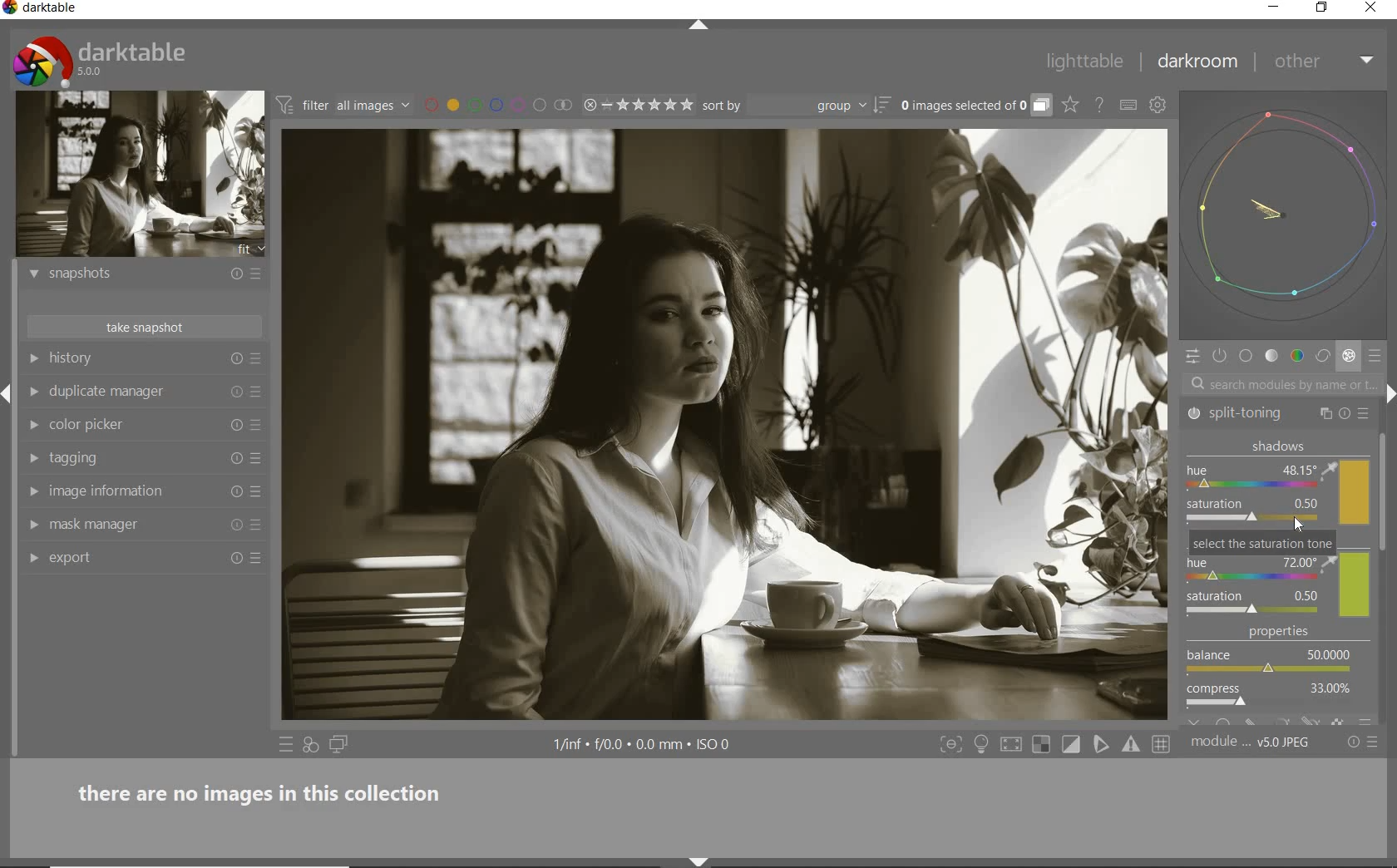 This screenshot has height=868, width=1397. What do you see at coordinates (133, 392) in the screenshot?
I see `duplicate manager` at bounding box center [133, 392].